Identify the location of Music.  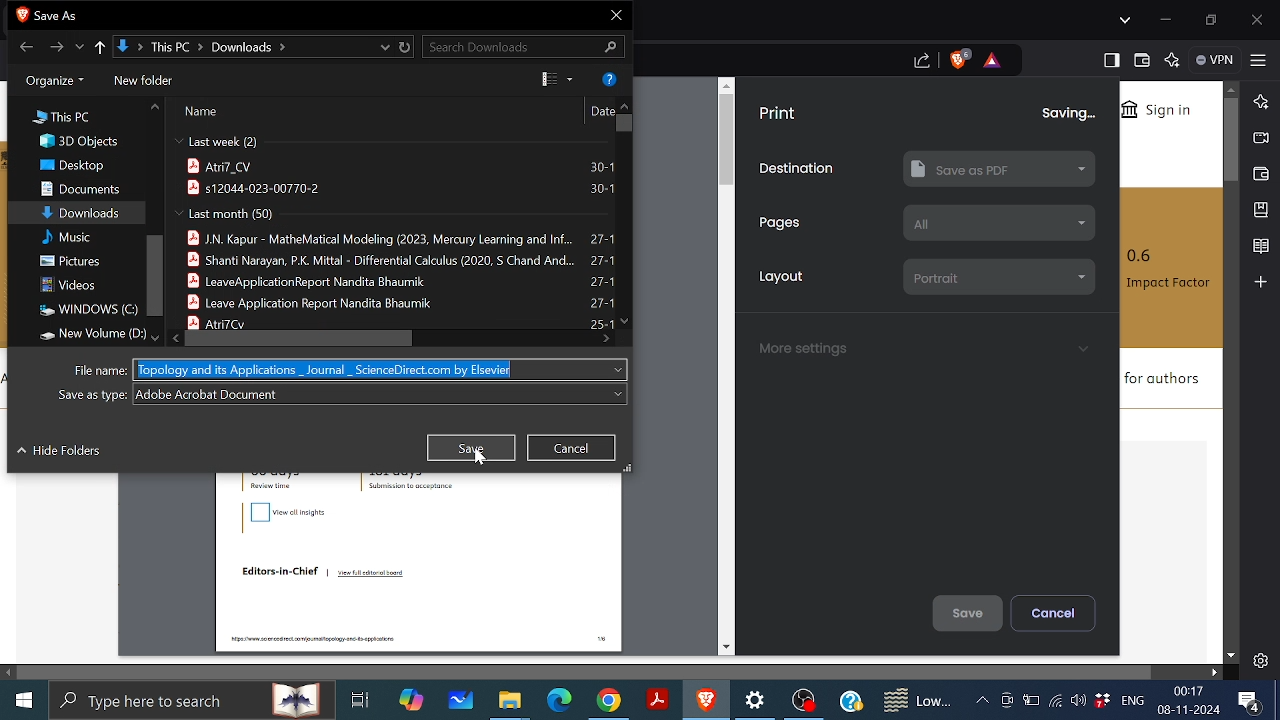
(67, 238).